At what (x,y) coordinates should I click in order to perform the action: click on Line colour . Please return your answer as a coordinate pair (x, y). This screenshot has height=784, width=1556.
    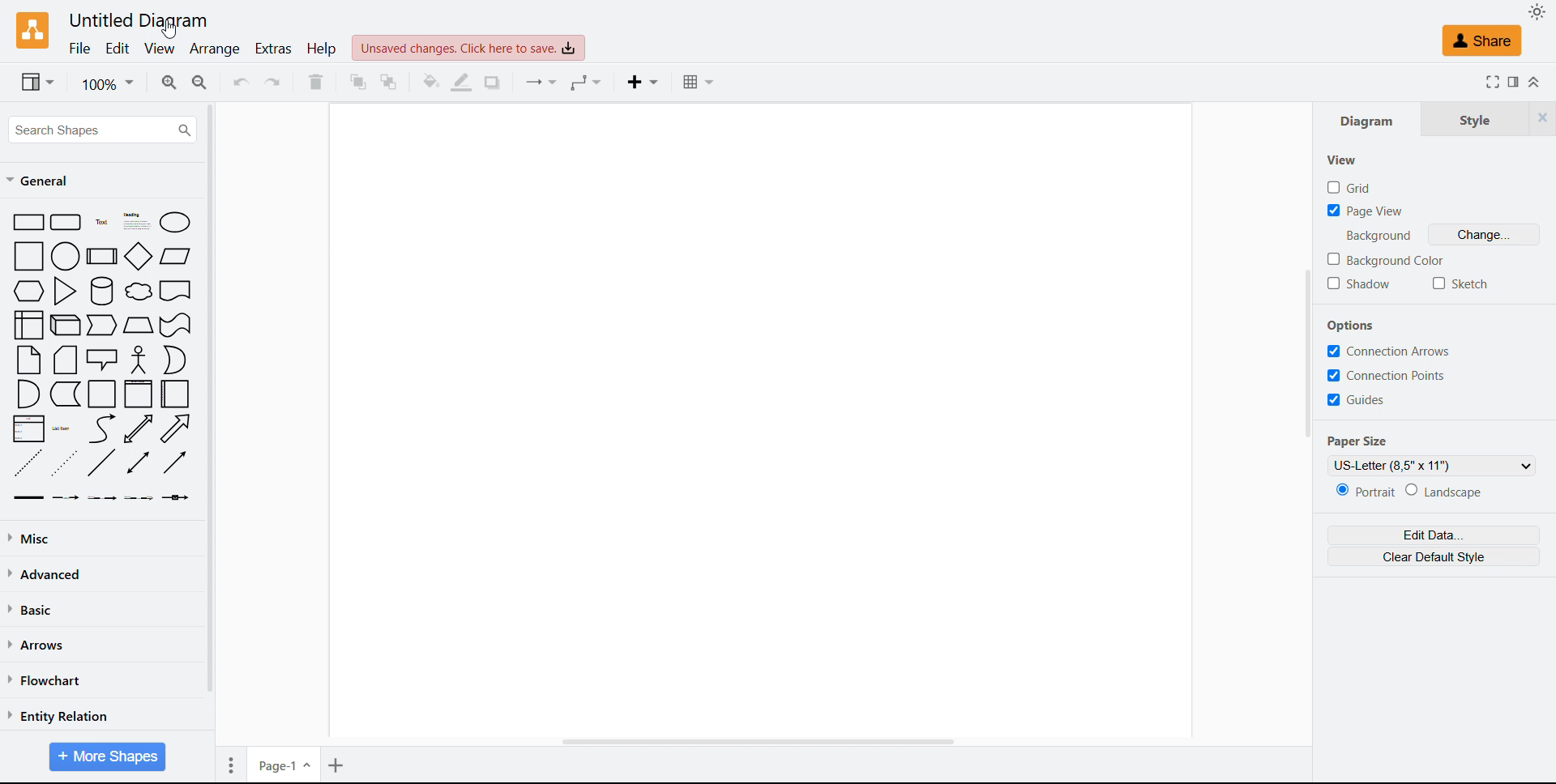
    Looking at the image, I should click on (463, 83).